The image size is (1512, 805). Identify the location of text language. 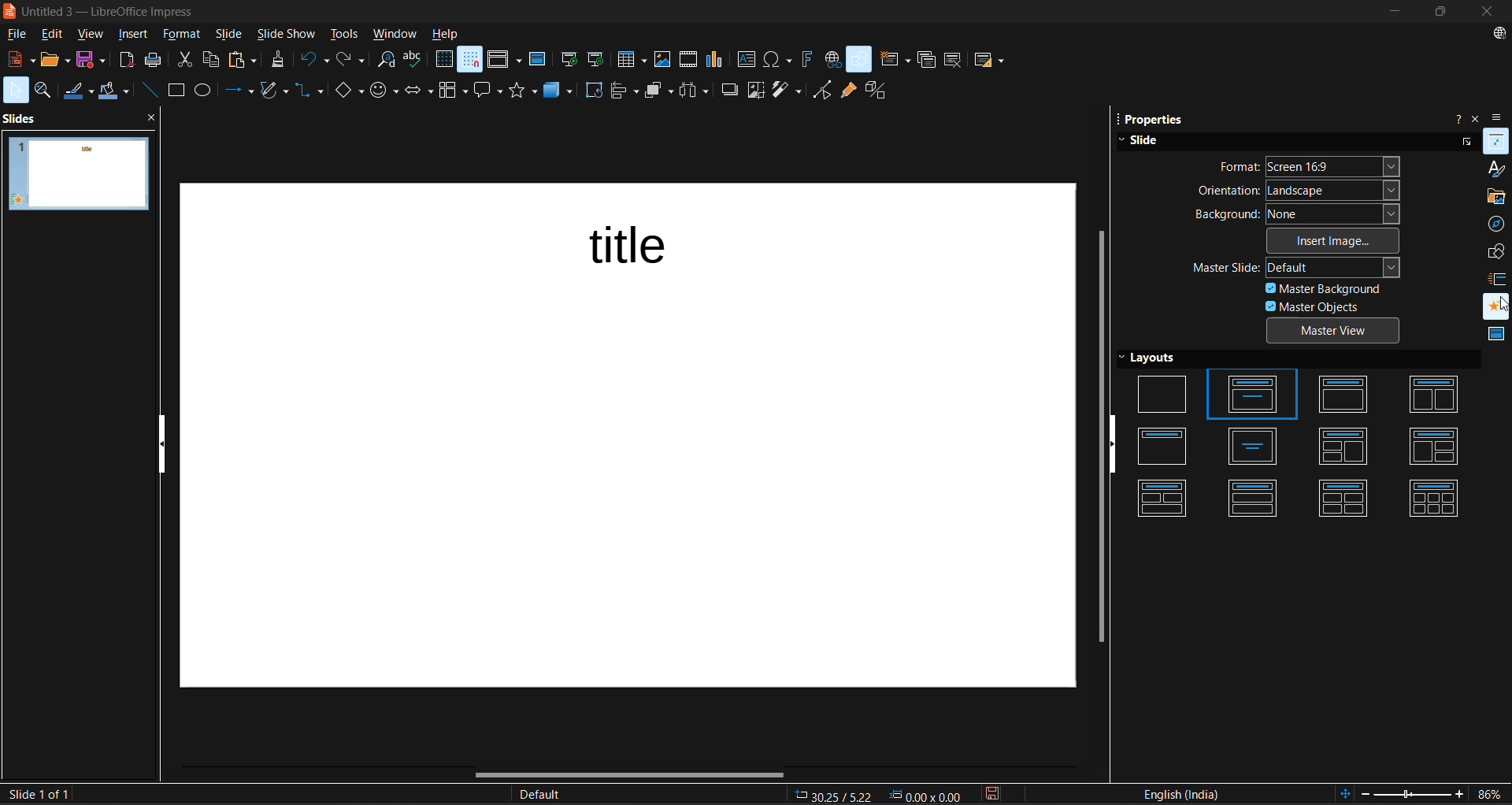
(1182, 793).